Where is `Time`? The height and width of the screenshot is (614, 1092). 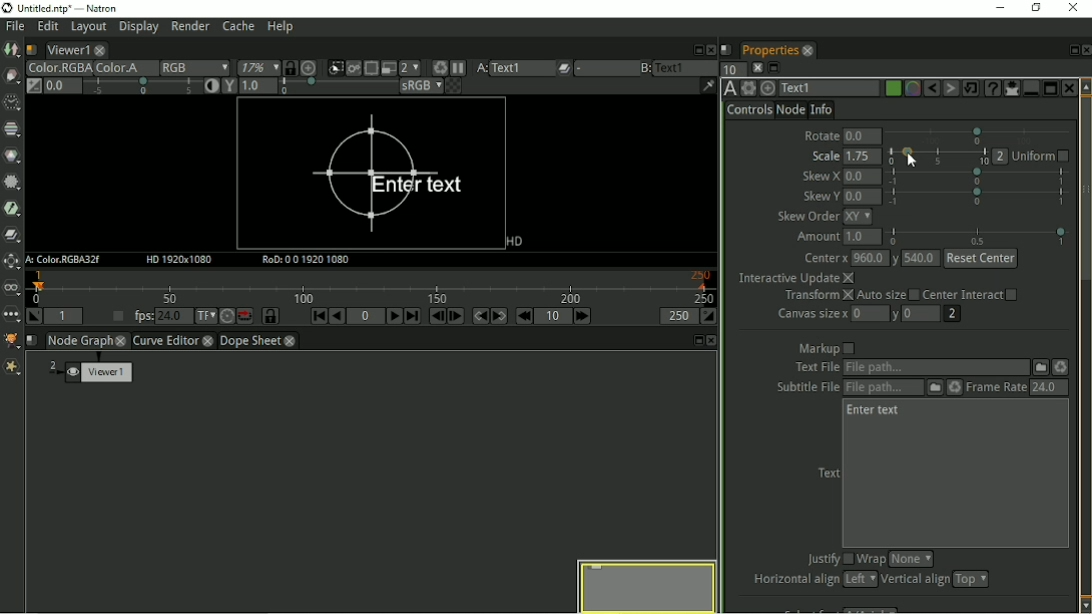 Time is located at coordinates (11, 102).